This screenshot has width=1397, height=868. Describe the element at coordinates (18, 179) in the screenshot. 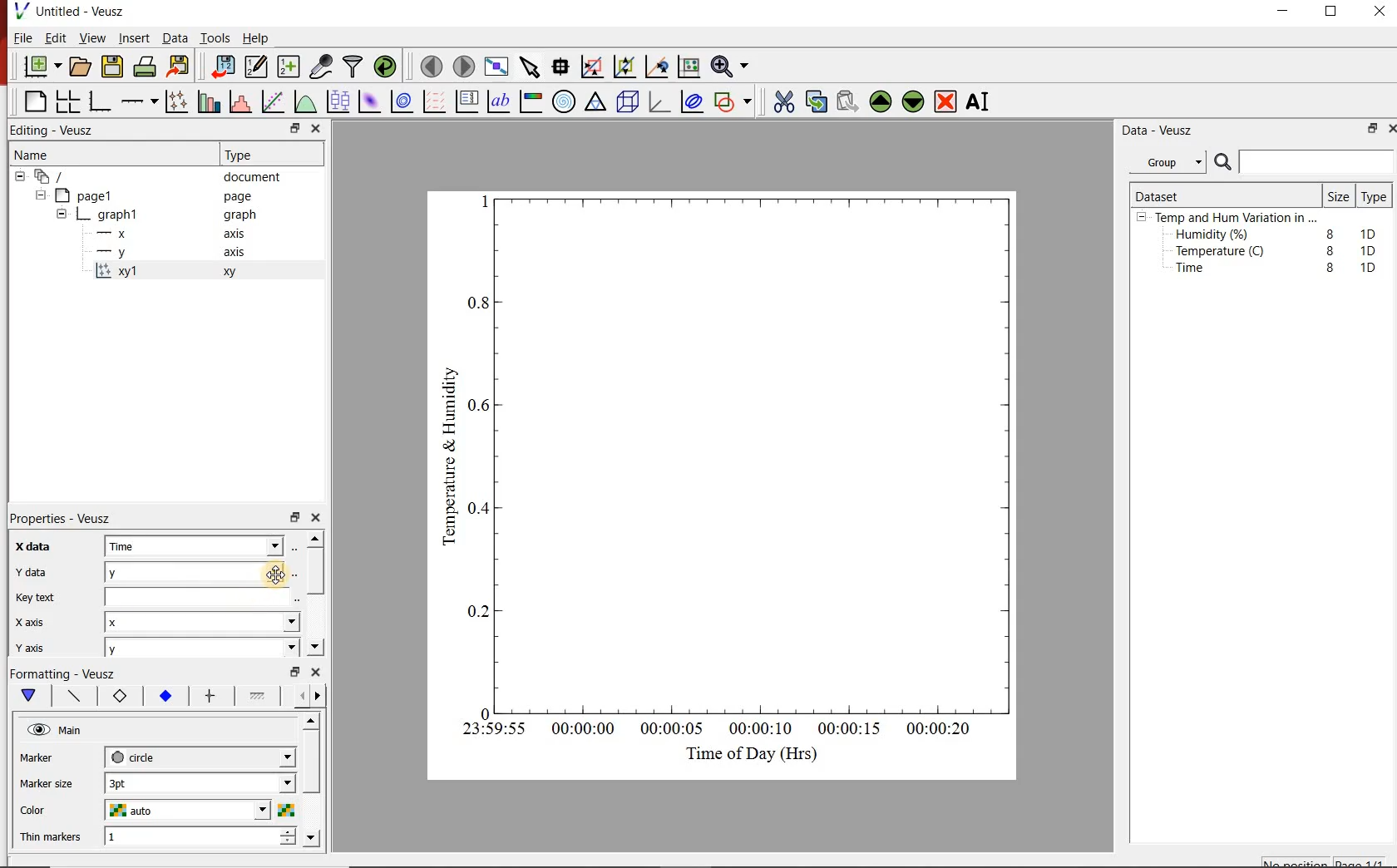

I see `hide sub menu` at that location.